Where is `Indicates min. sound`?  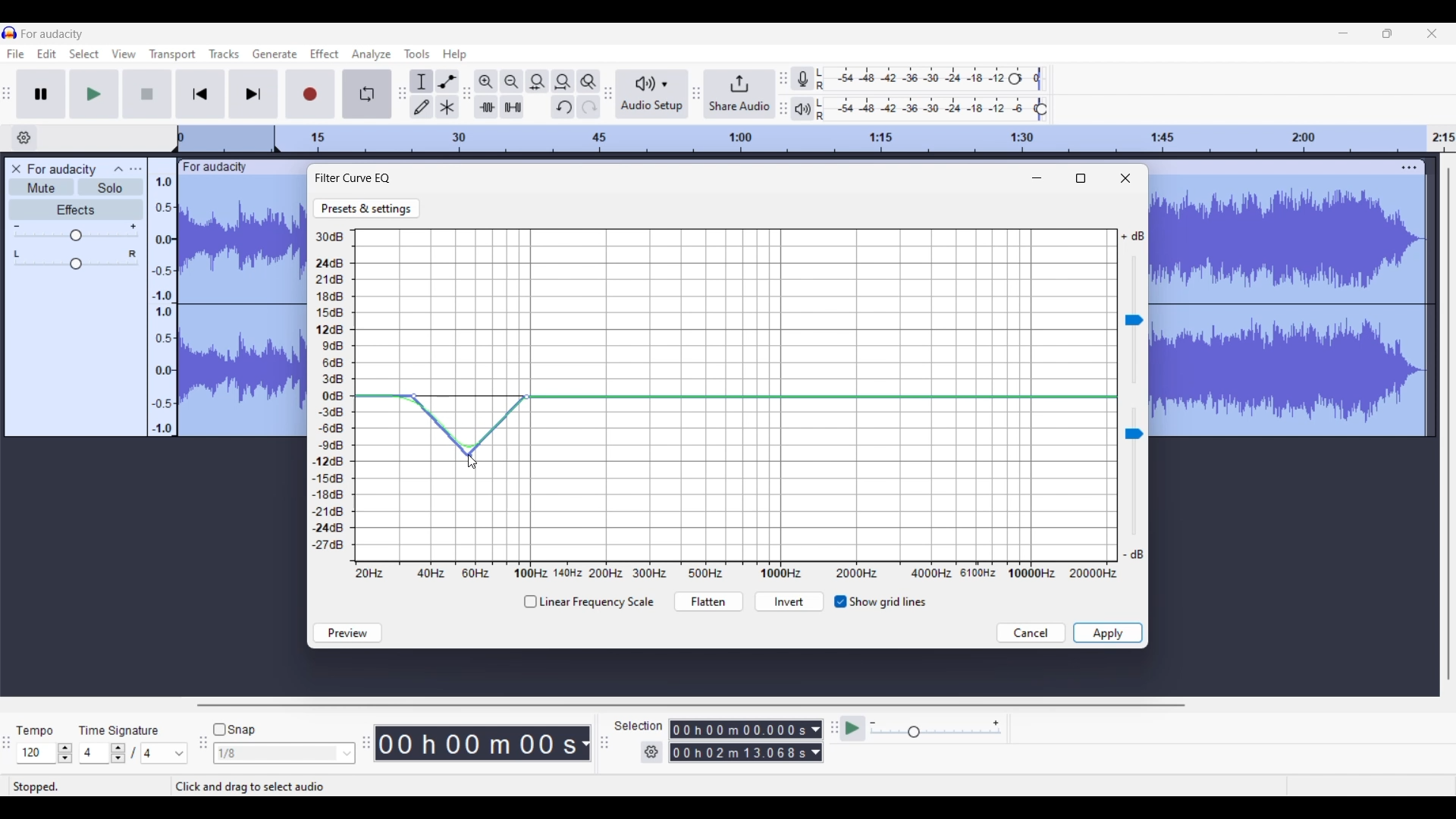 Indicates min. sound is located at coordinates (1133, 554).